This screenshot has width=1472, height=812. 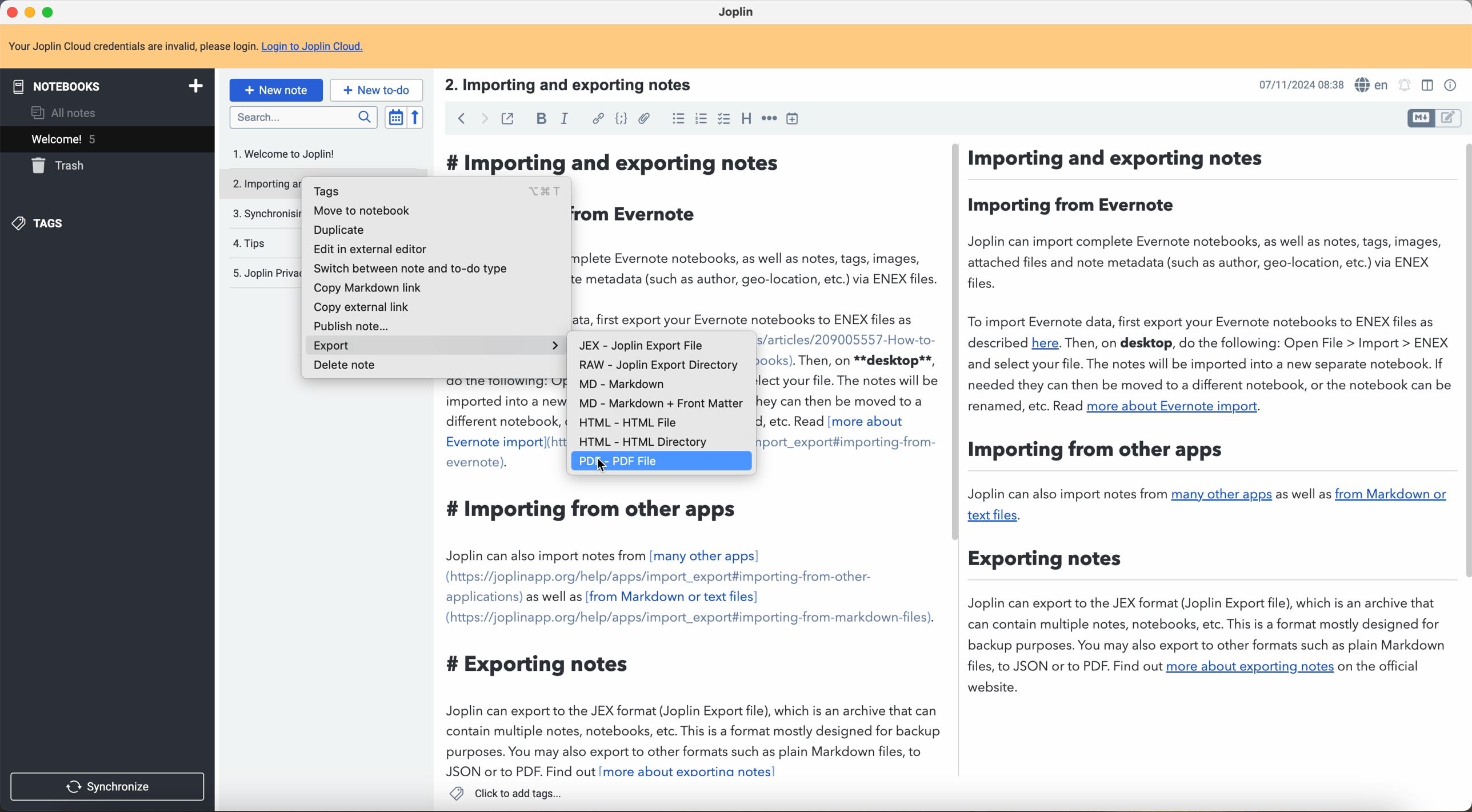 I want to click on tags, so click(x=438, y=191).